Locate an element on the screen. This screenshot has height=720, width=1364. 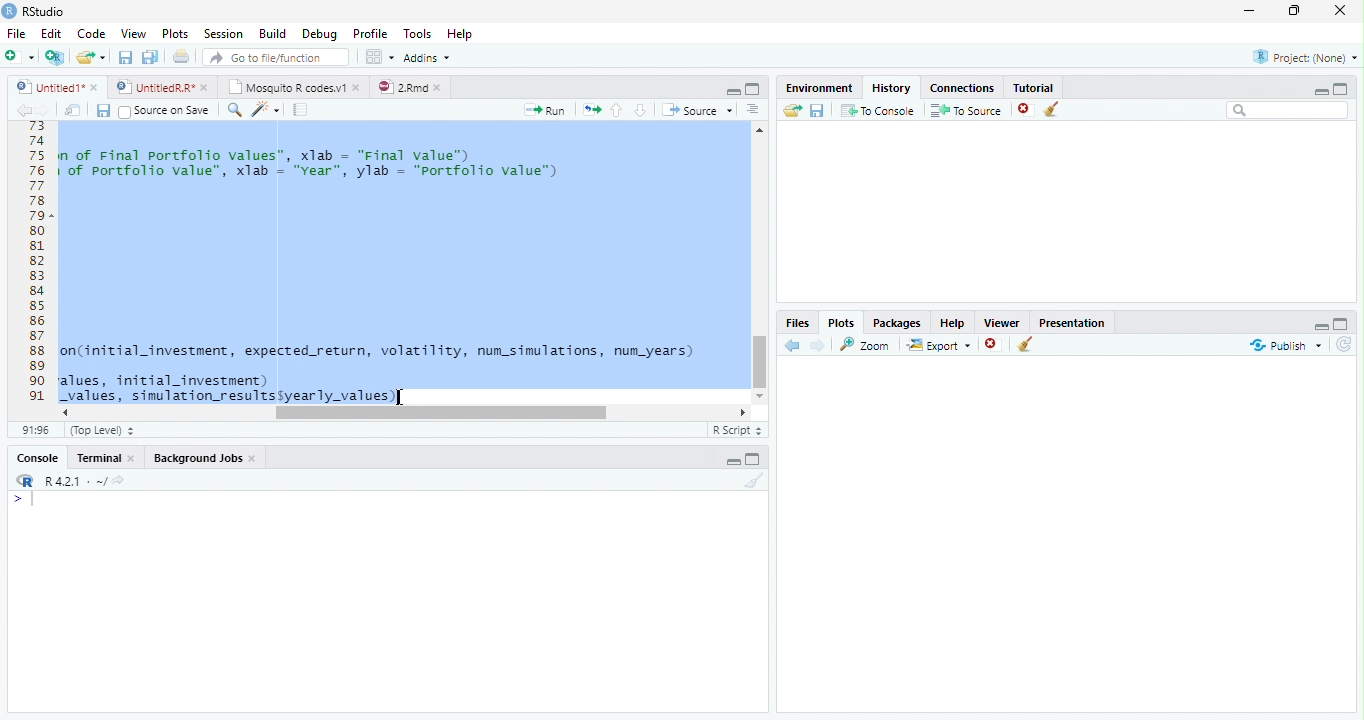
Source on save is located at coordinates (166, 111).